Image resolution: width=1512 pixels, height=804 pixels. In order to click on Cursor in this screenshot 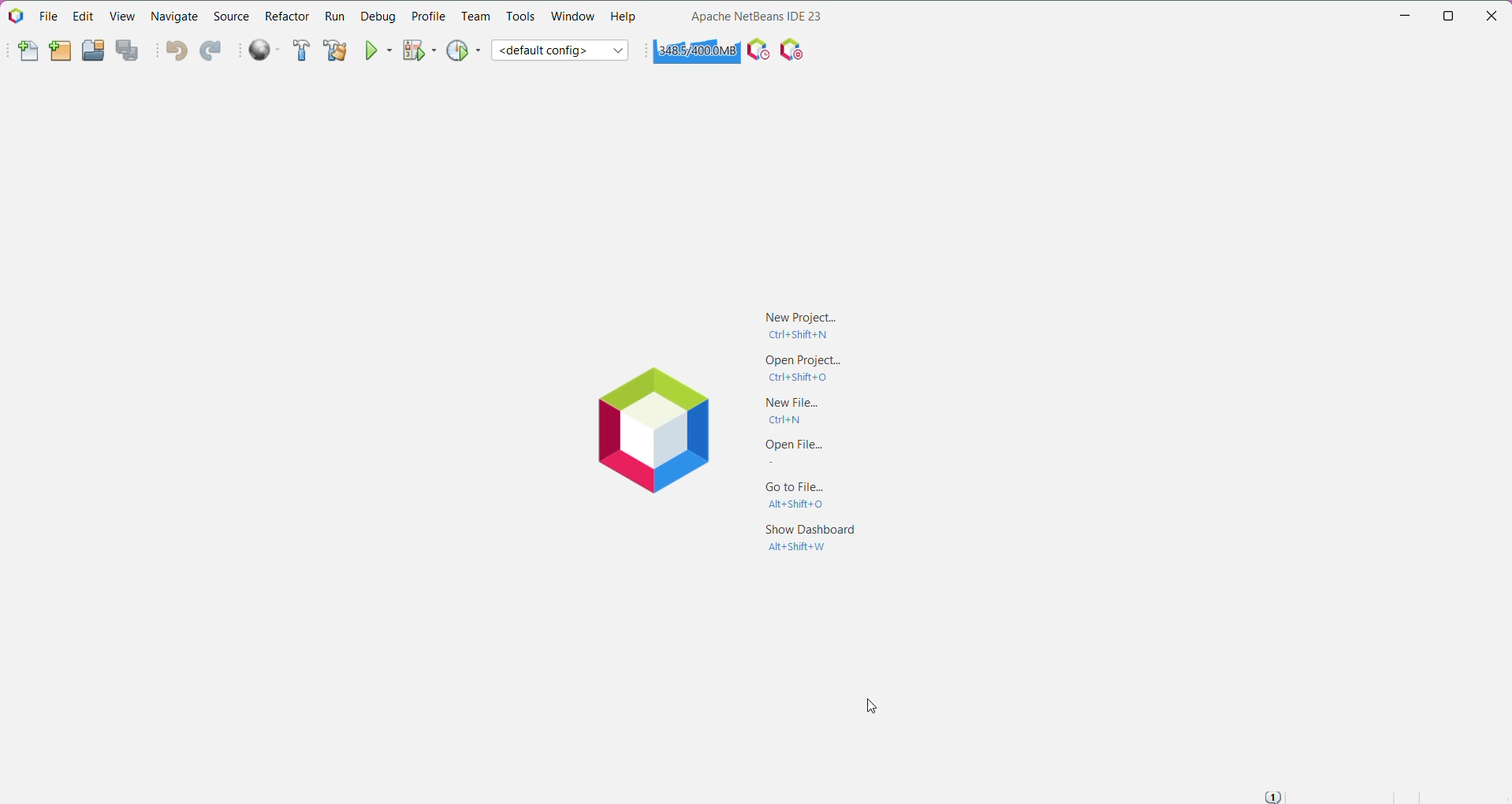, I will do `click(870, 705)`.